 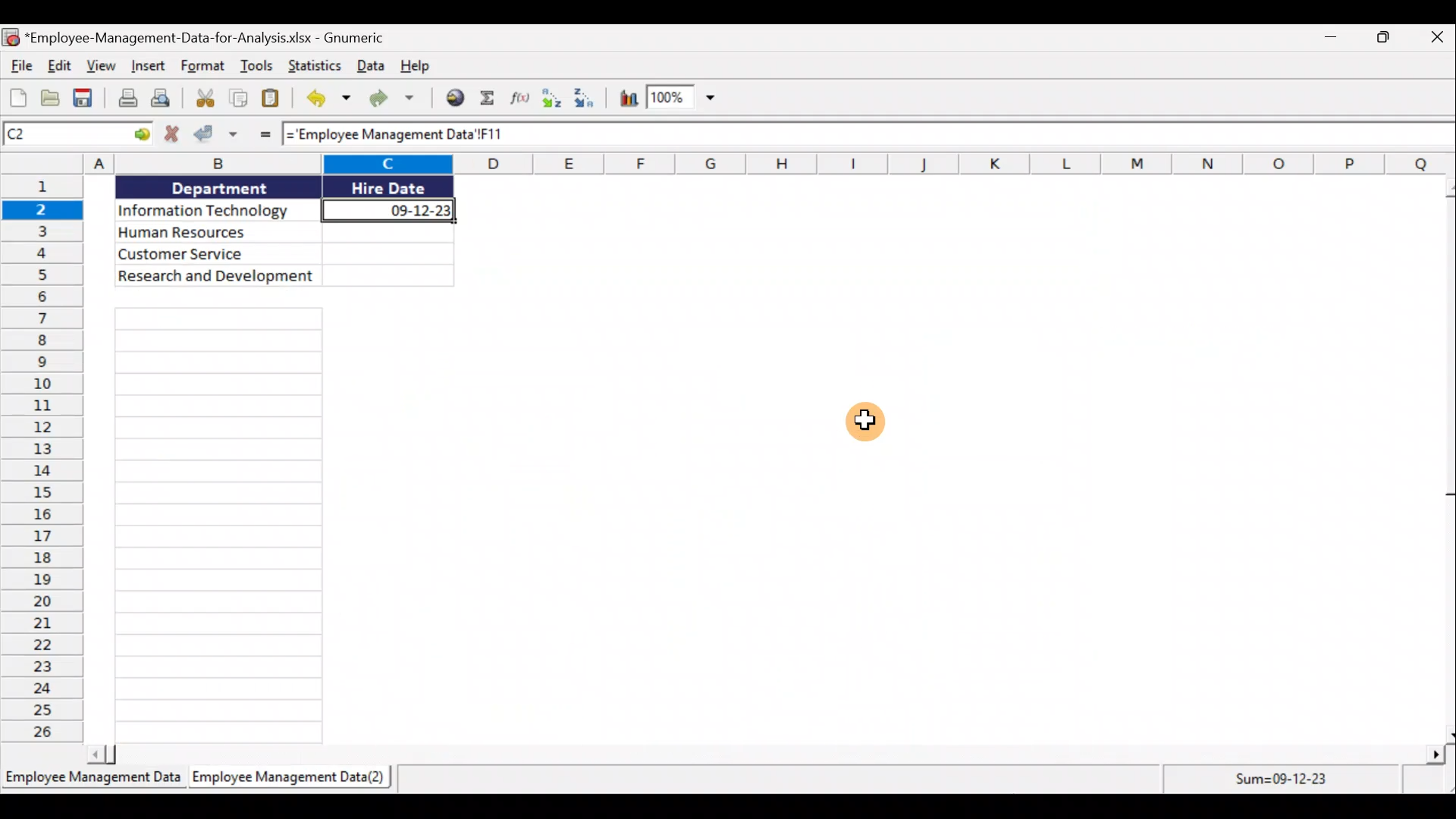 I want to click on Paste clipboard, so click(x=275, y=101).